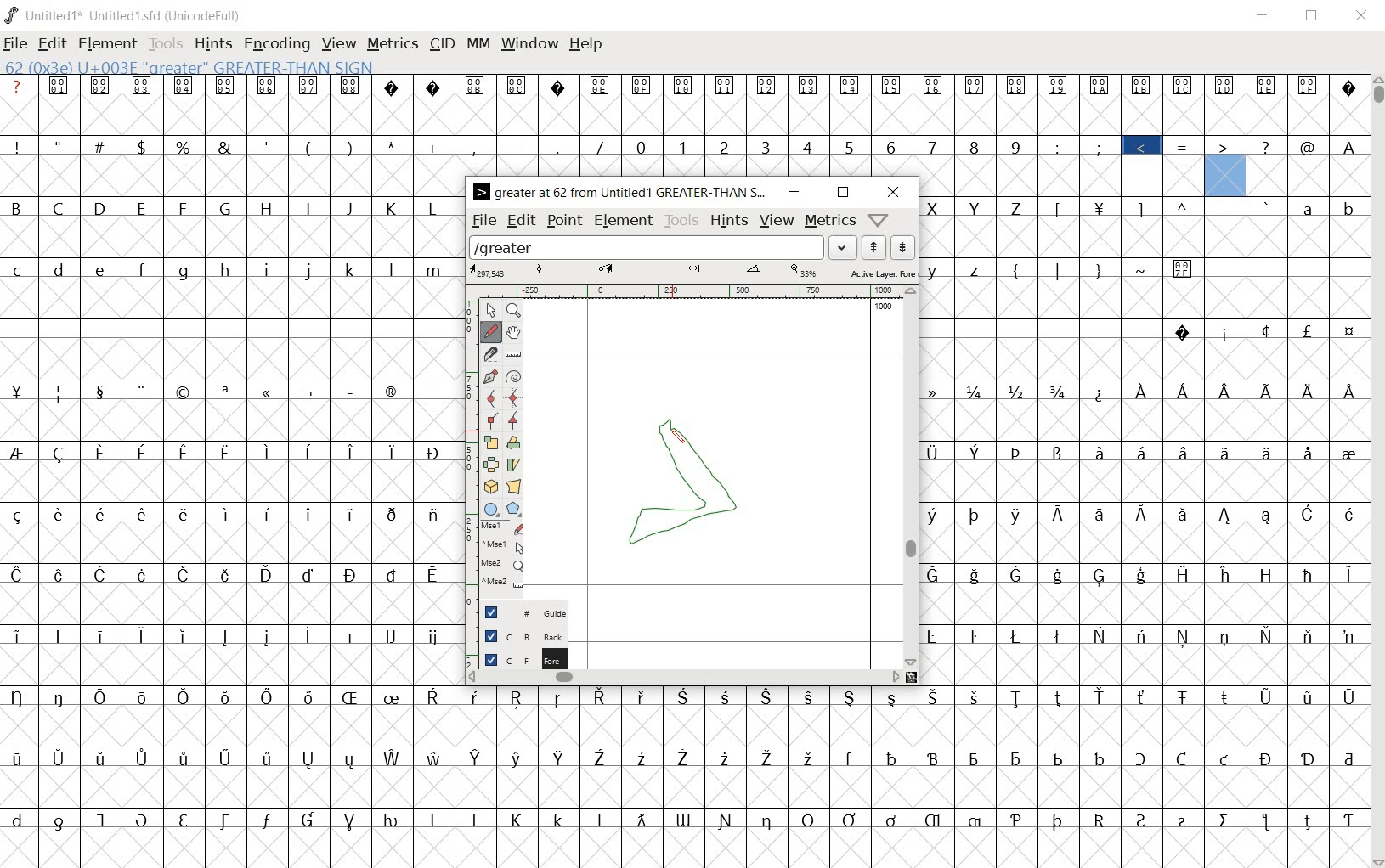 This screenshot has height=868, width=1385. Describe the element at coordinates (519, 222) in the screenshot. I see `edit` at that location.